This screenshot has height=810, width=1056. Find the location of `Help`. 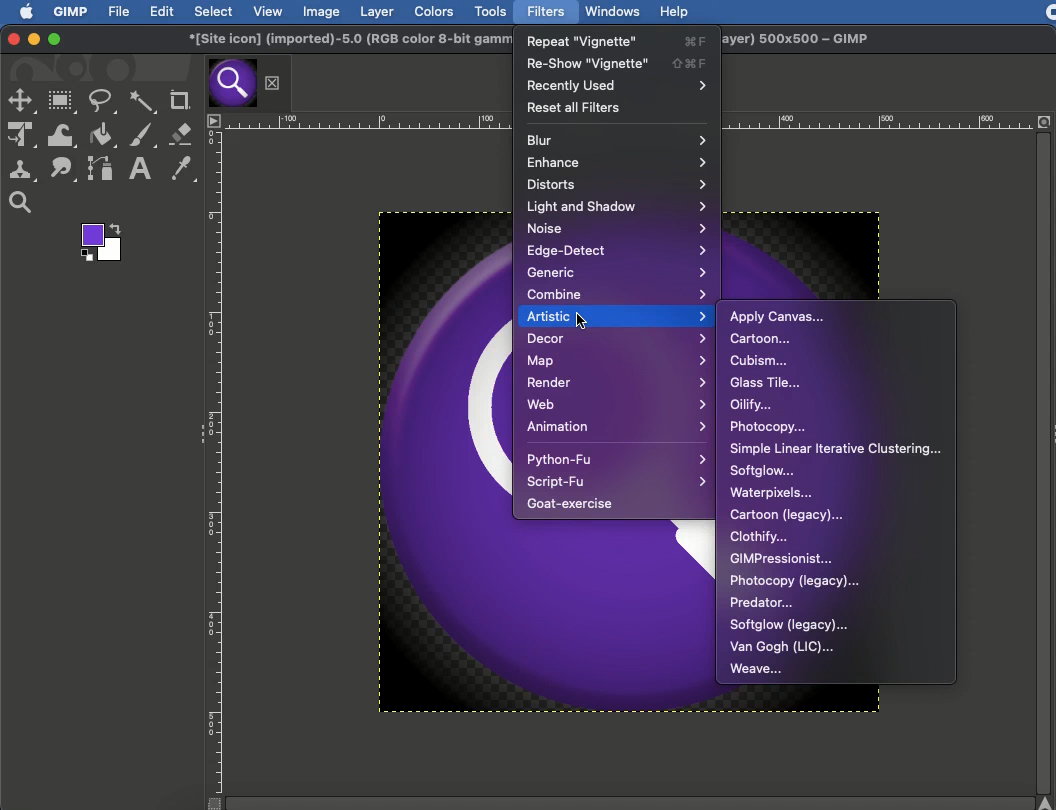

Help is located at coordinates (675, 12).